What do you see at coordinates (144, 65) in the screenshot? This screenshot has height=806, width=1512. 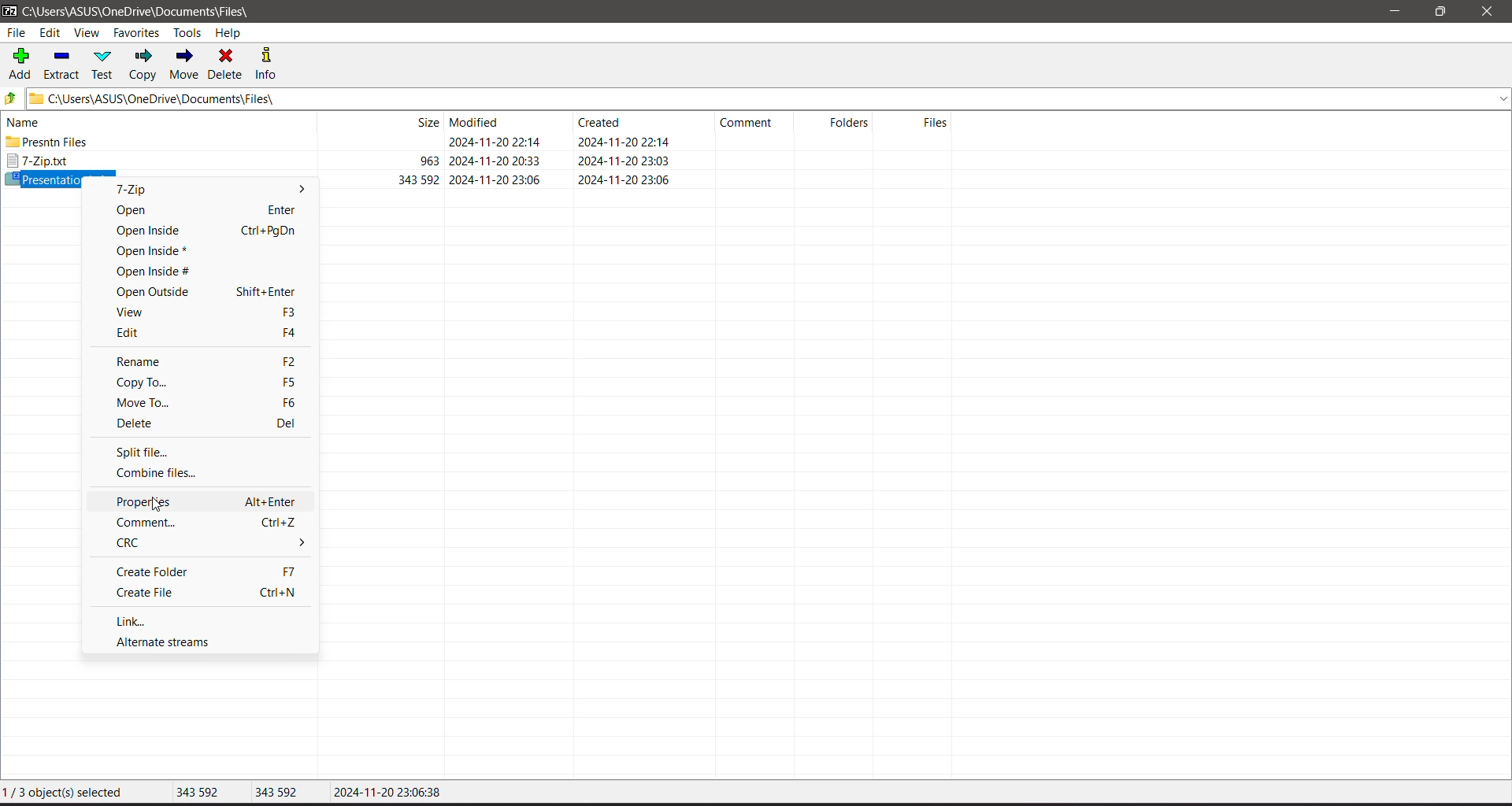 I see `Copy` at bounding box center [144, 65].